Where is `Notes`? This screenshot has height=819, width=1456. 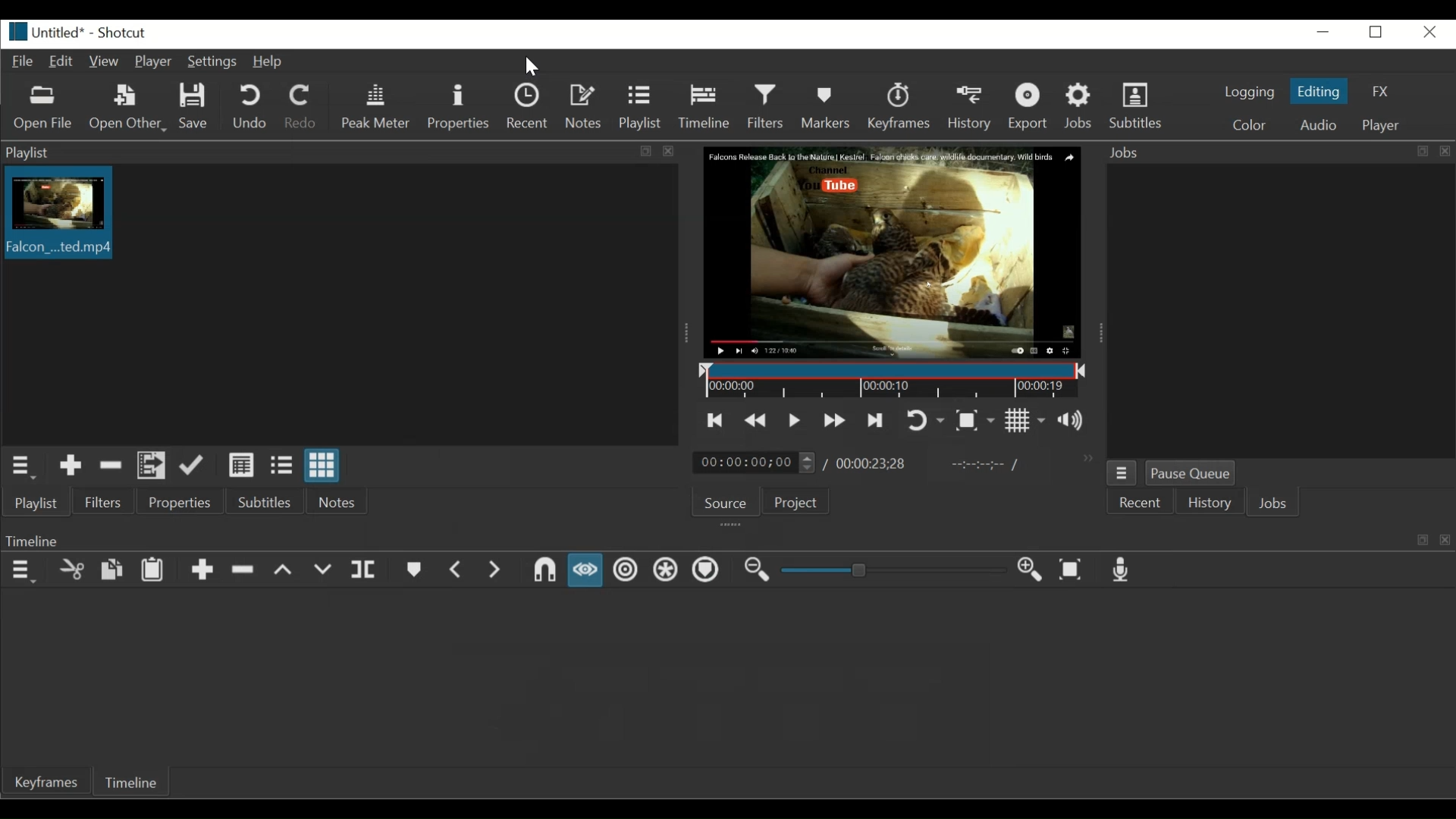
Notes is located at coordinates (335, 502).